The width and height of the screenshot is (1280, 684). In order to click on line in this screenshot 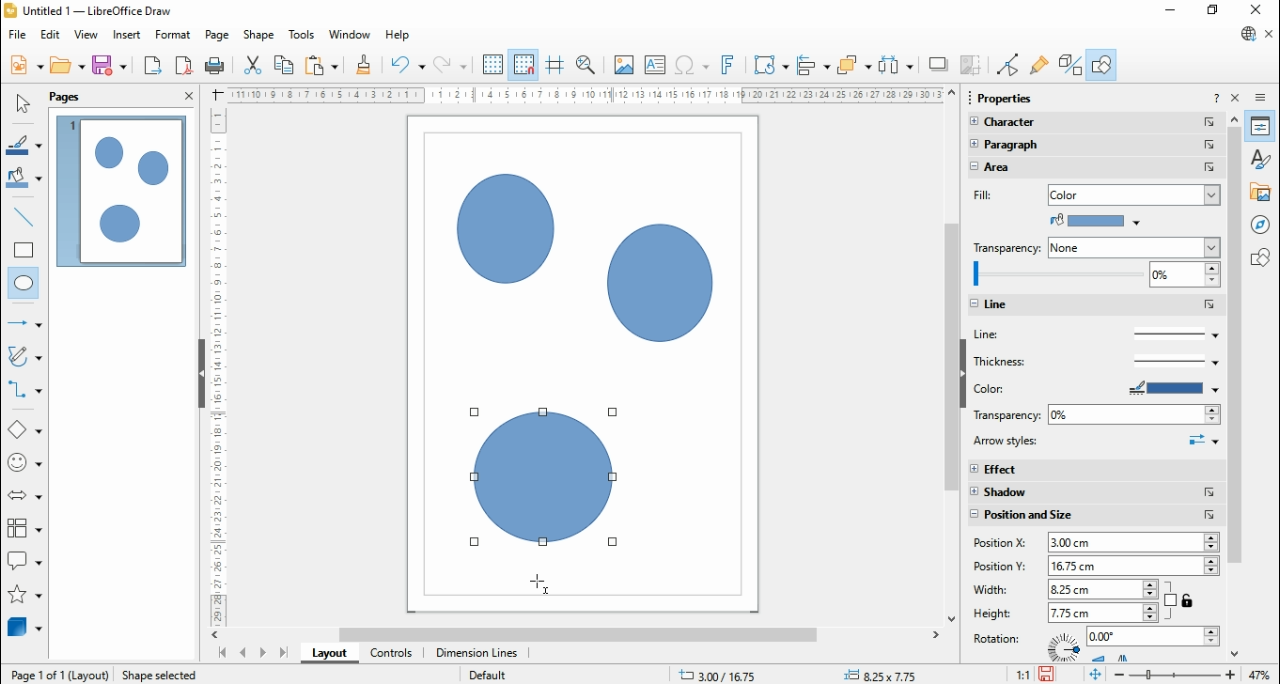, I will do `click(1093, 334)`.